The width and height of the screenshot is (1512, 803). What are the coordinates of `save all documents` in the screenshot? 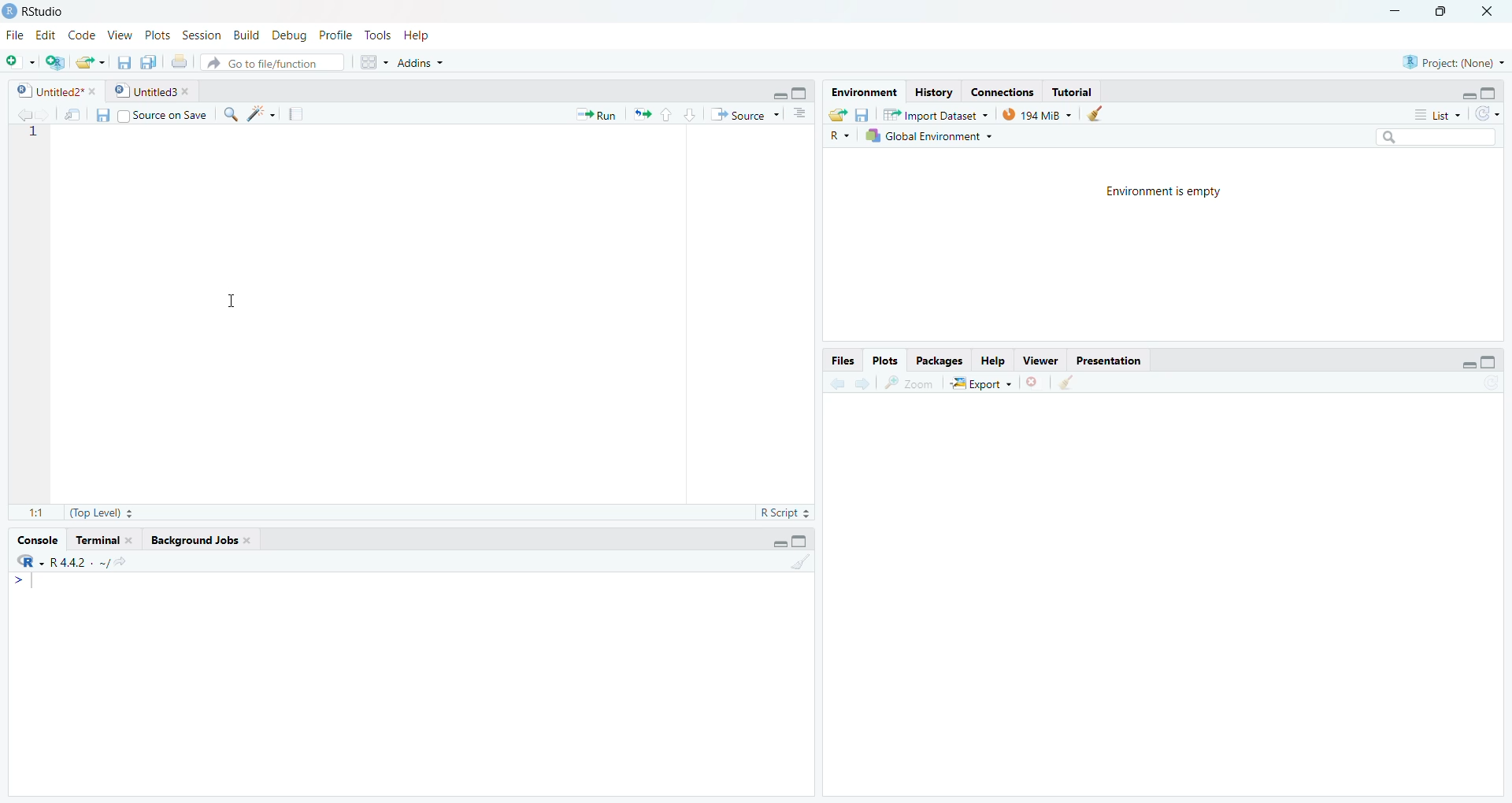 It's located at (150, 61).